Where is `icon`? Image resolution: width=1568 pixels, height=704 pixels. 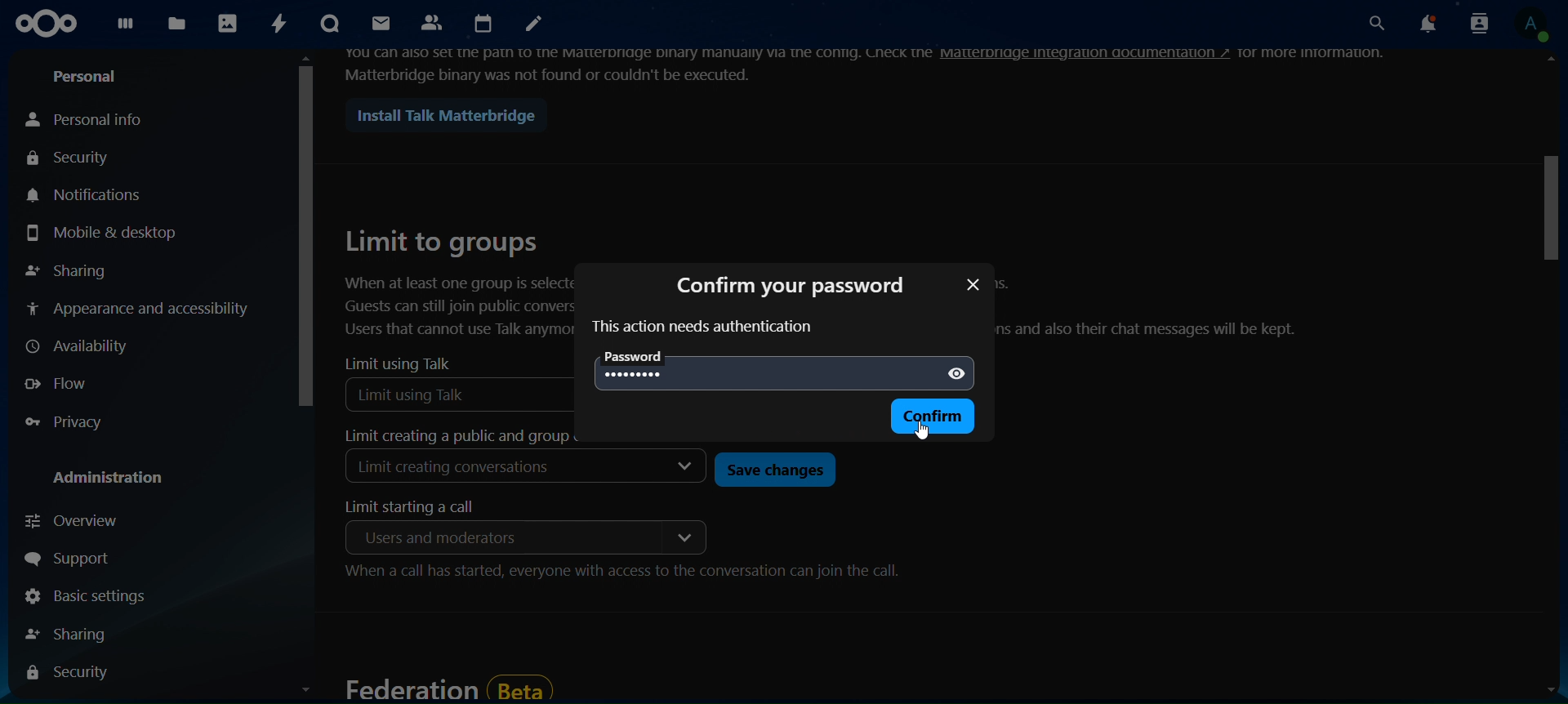
icon is located at coordinates (48, 24).